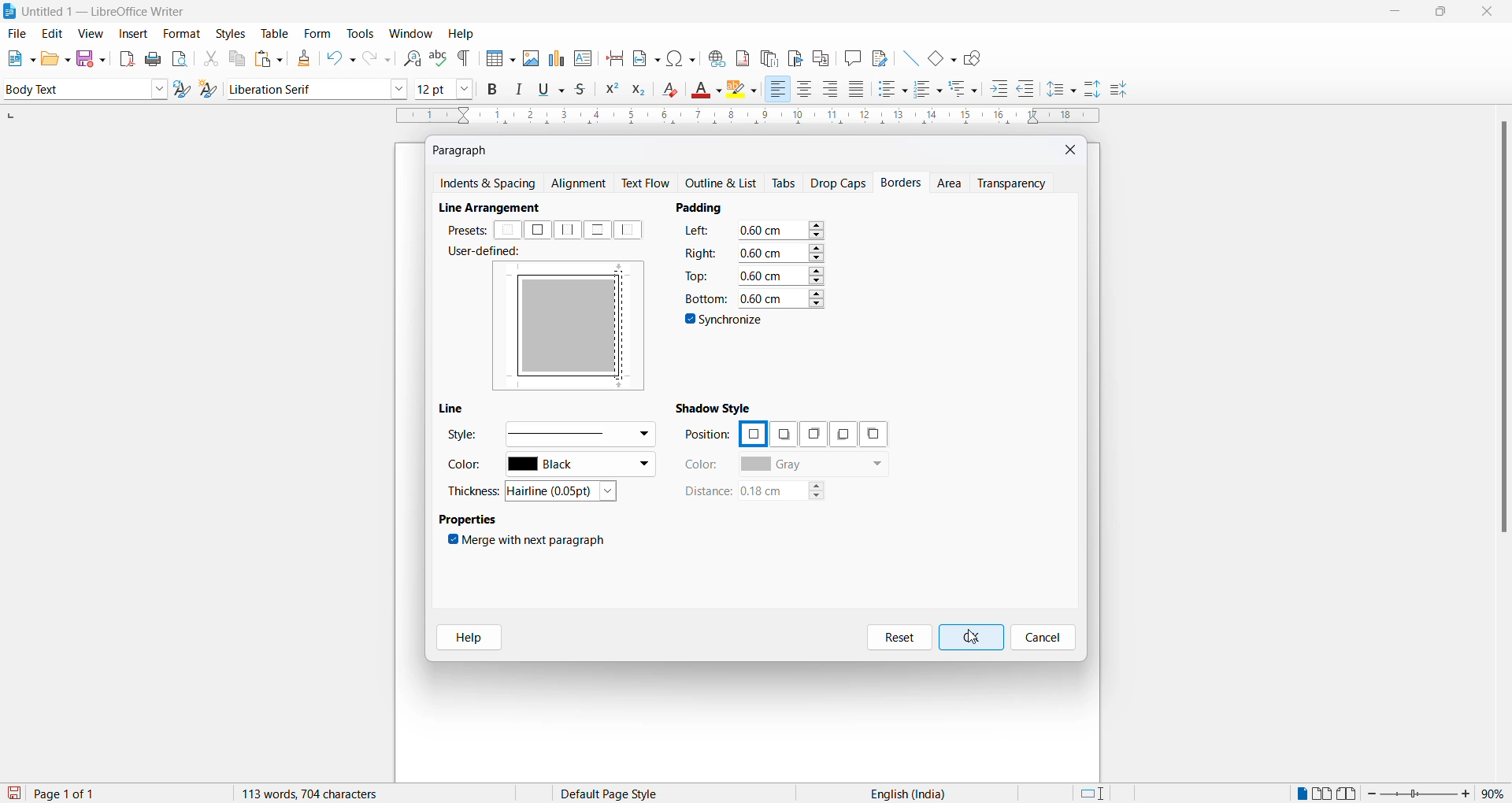 The height and width of the screenshot is (803, 1512). Describe the element at coordinates (1300, 794) in the screenshot. I see `single page view` at that location.